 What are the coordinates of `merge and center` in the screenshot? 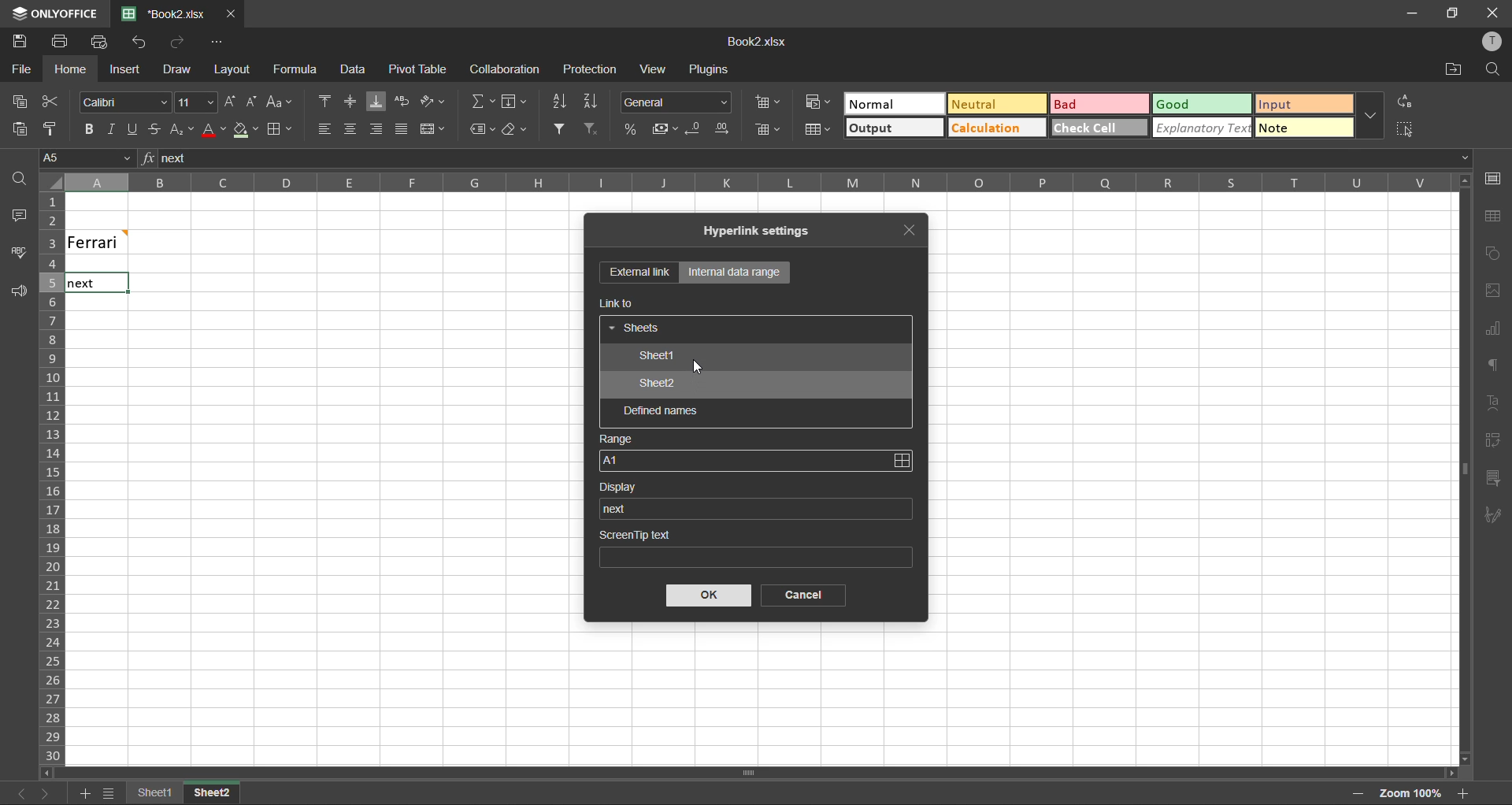 It's located at (432, 129).